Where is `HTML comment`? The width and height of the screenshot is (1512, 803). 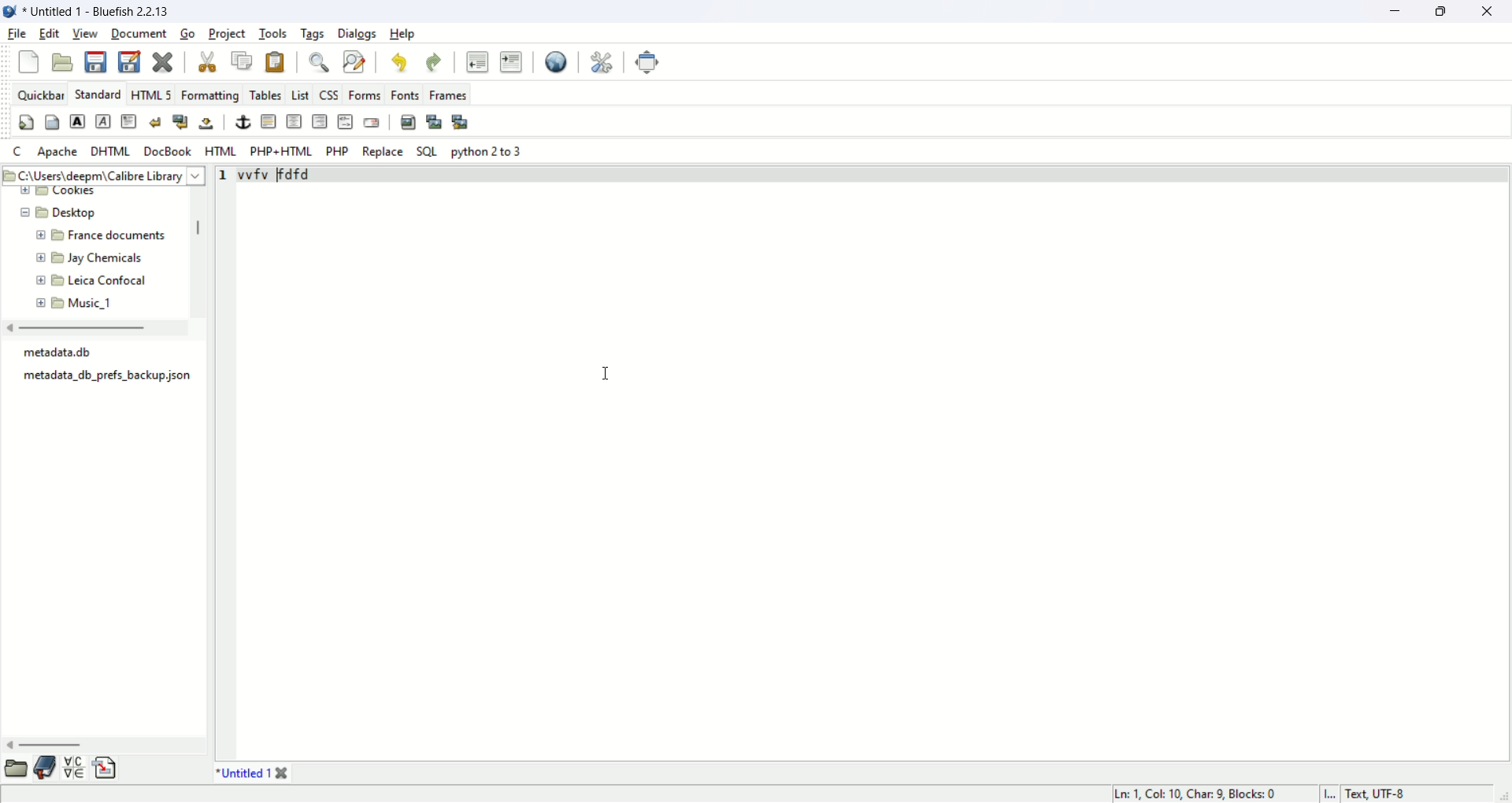
HTML comment is located at coordinates (346, 122).